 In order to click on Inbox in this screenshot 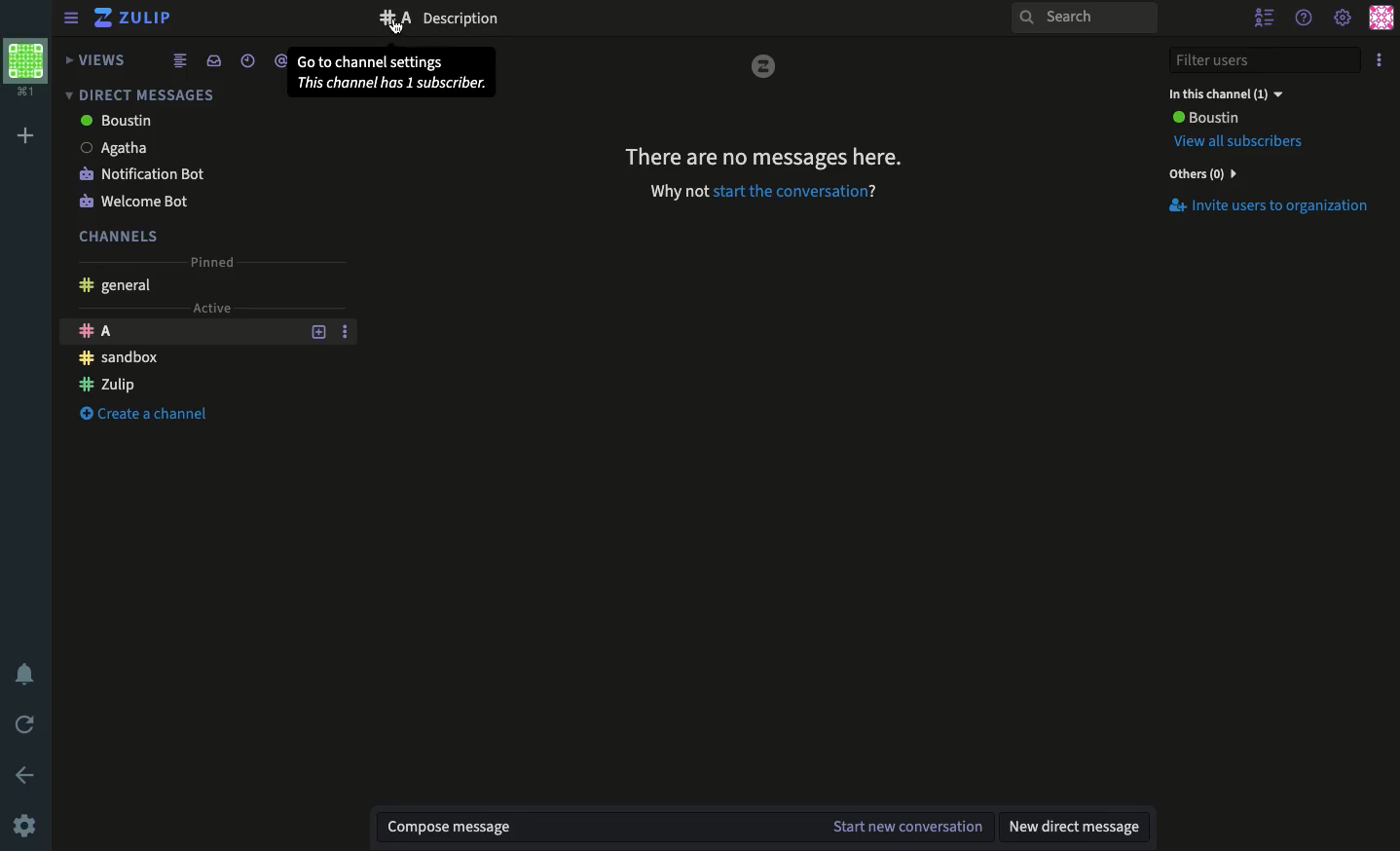, I will do `click(210, 59)`.